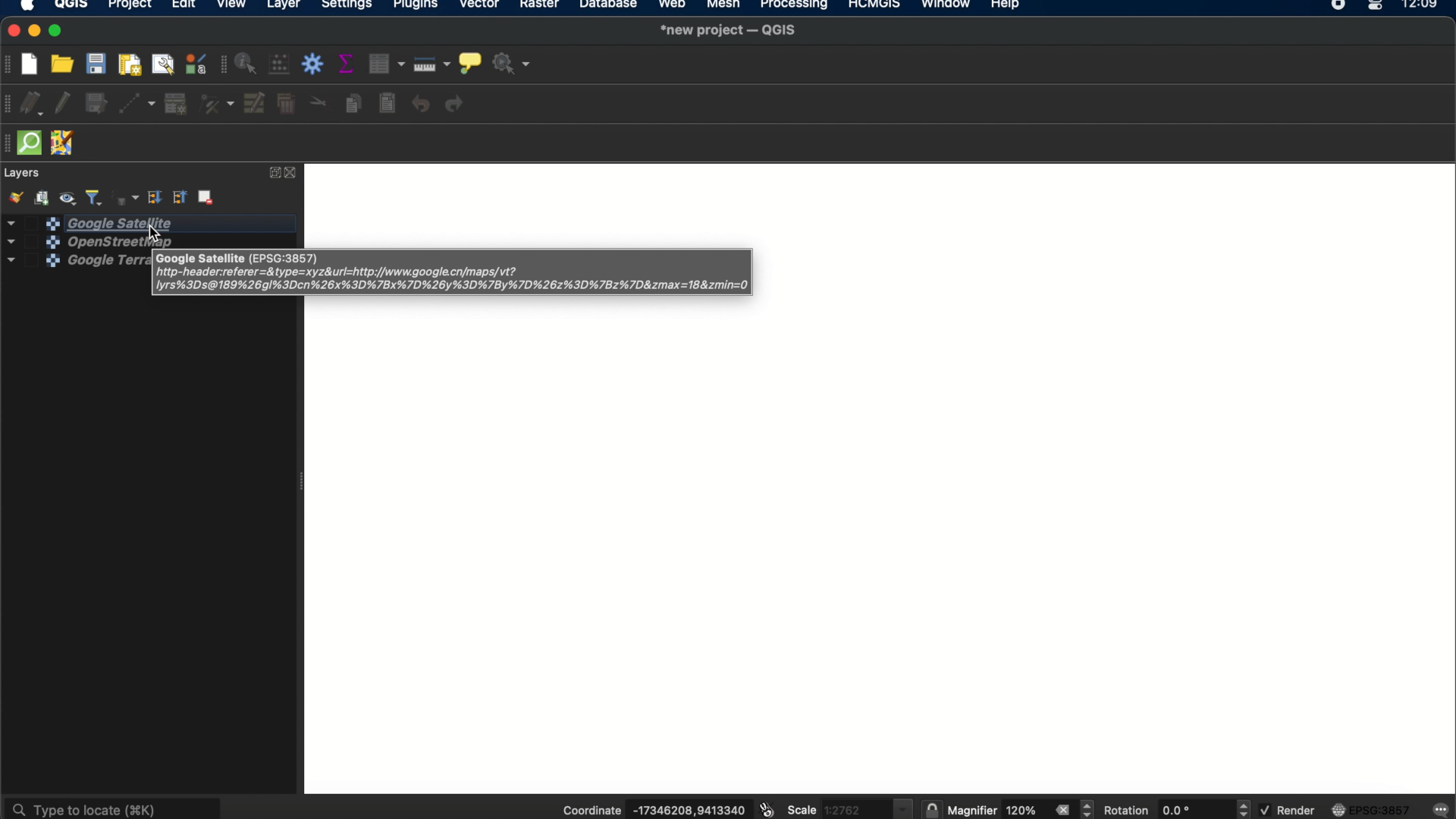 The height and width of the screenshot is (819, 1456). What do you see at coordinates (221, 65) in the screenshot?
I see `attributes toolbar` at bounding box center [221, 65].